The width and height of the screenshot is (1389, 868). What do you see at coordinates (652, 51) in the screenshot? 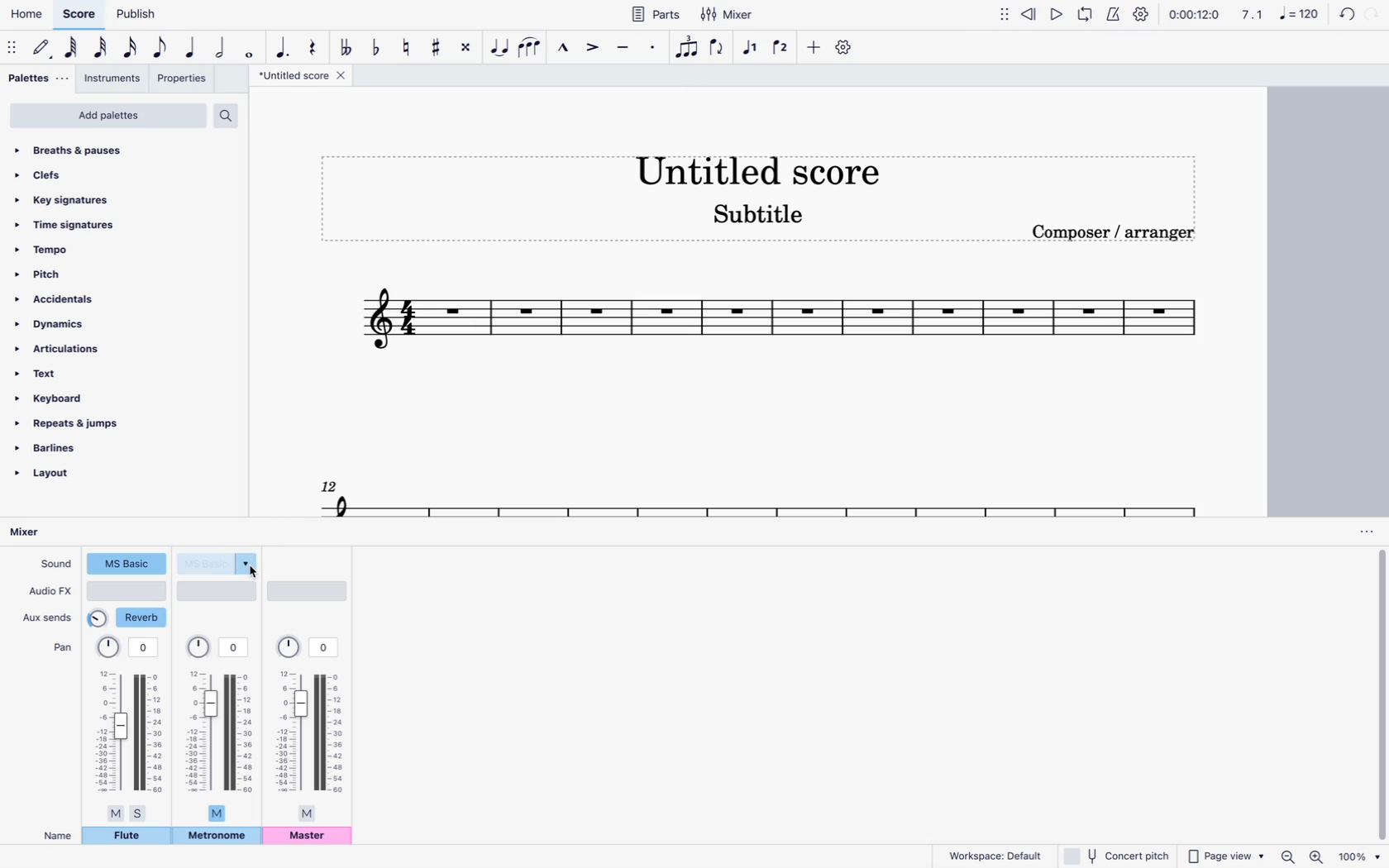
I see `staccato` at bounding box center [652, 51].